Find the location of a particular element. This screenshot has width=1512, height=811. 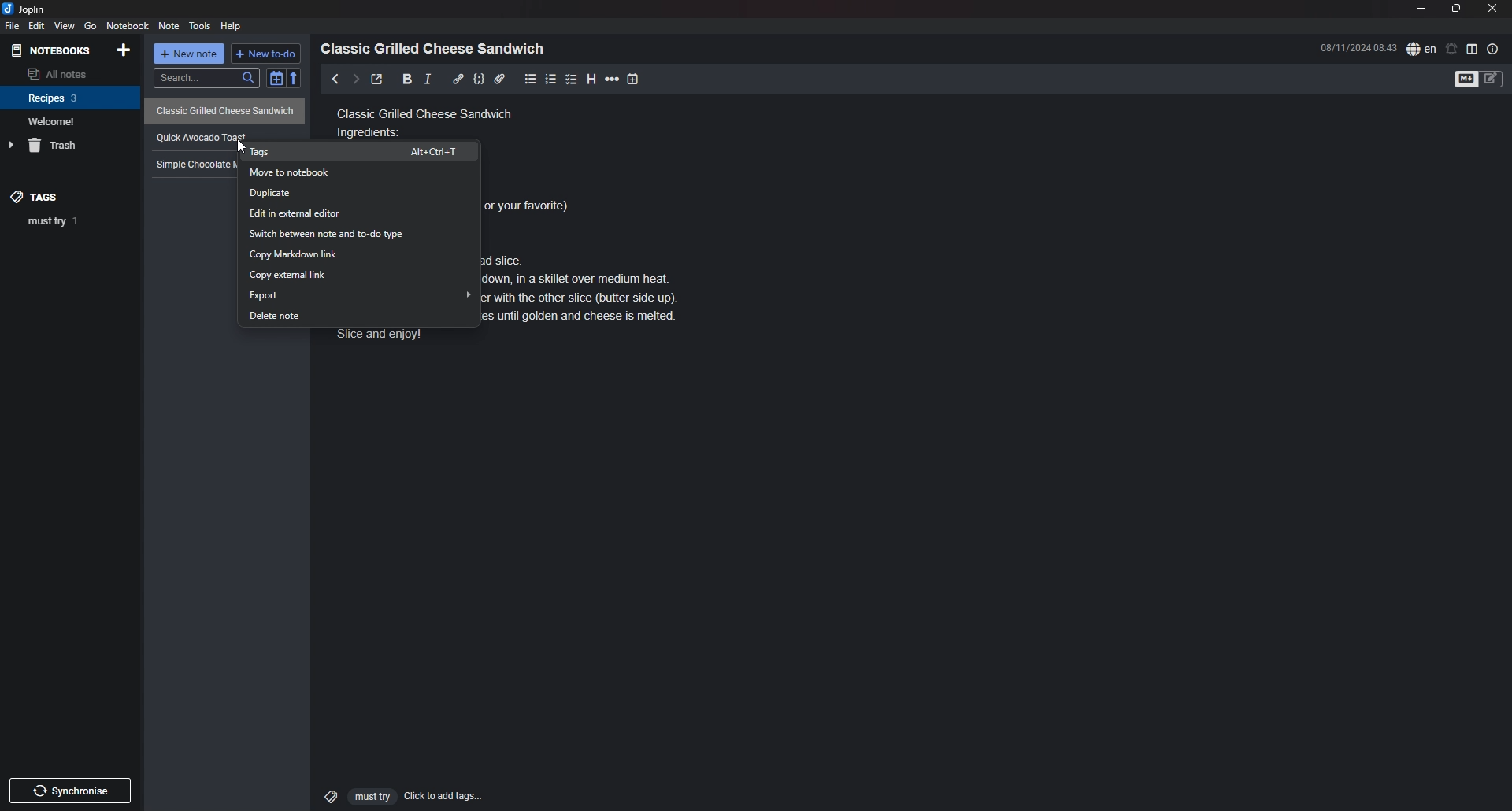

notebook is located at coordinates (129, 25).